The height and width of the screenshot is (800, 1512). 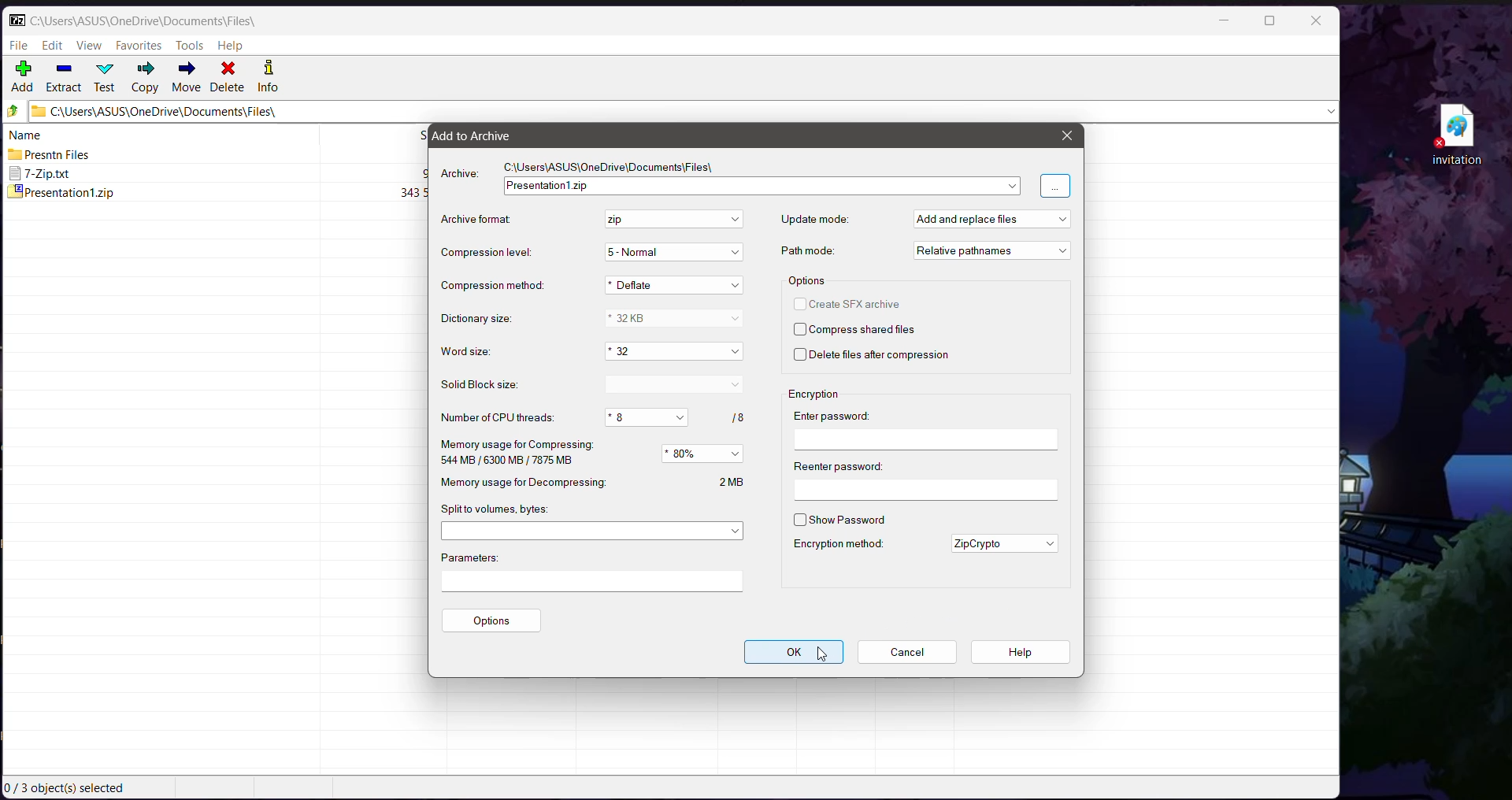 I want to click on Compress shared files - click to enable/disable, so click(x=854, y=330).